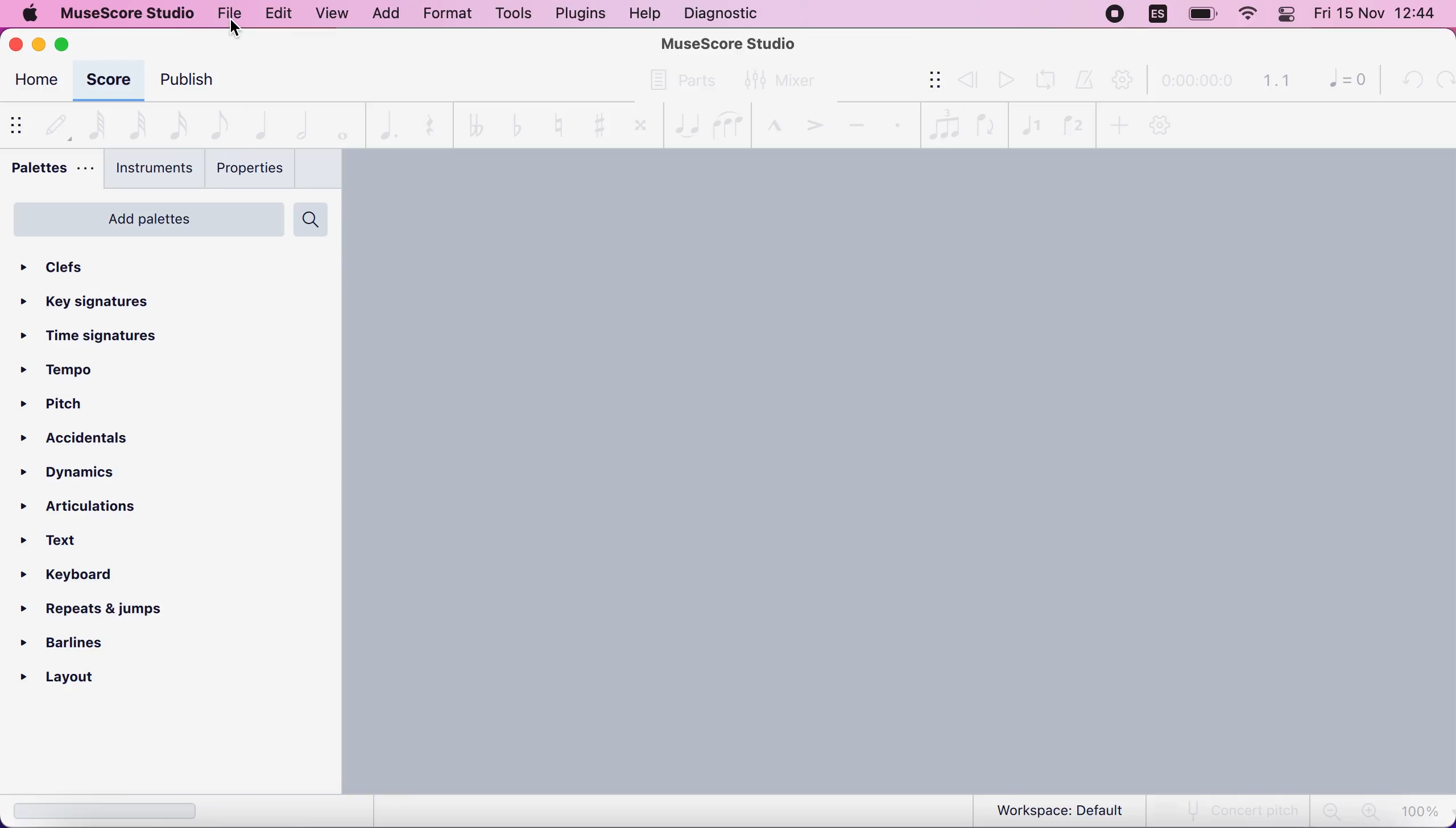 This screenshot has height=828, width=1456. Describe the element at coordinates (636, 122) in the screenshot. I see `toggle double sharp ` at that location.